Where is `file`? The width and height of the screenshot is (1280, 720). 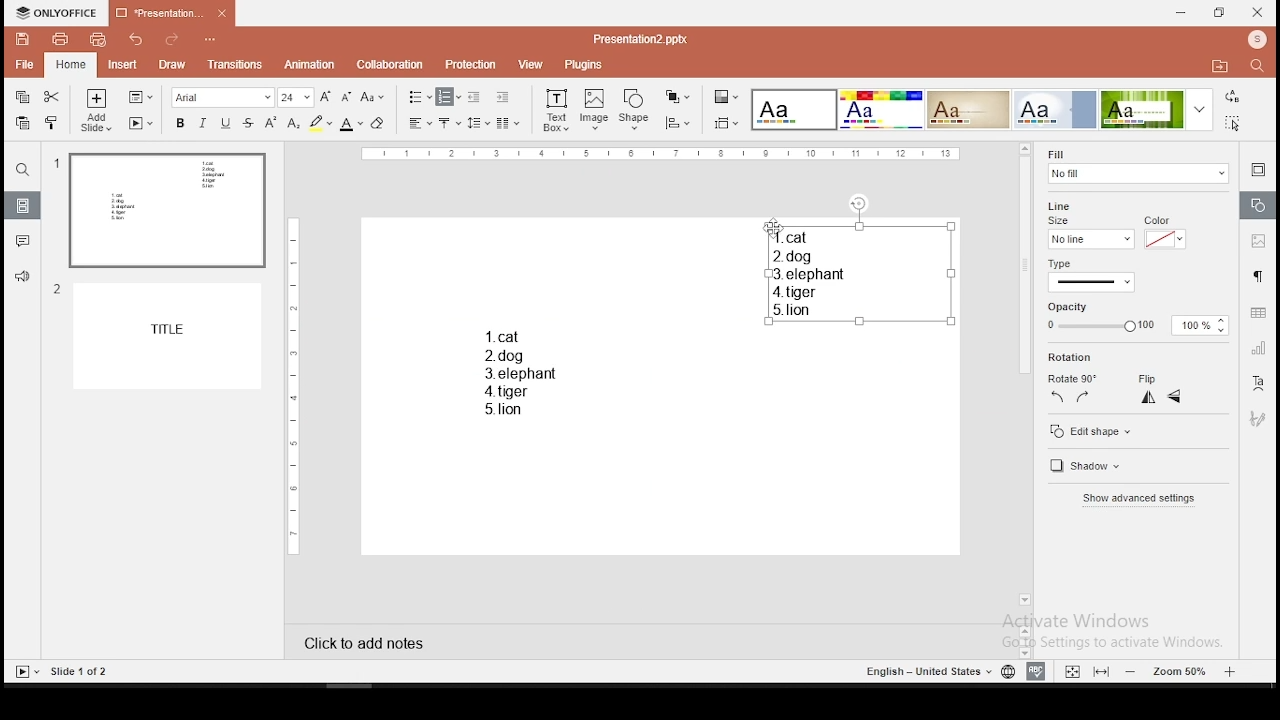 file is located at coordinates (24, 66).